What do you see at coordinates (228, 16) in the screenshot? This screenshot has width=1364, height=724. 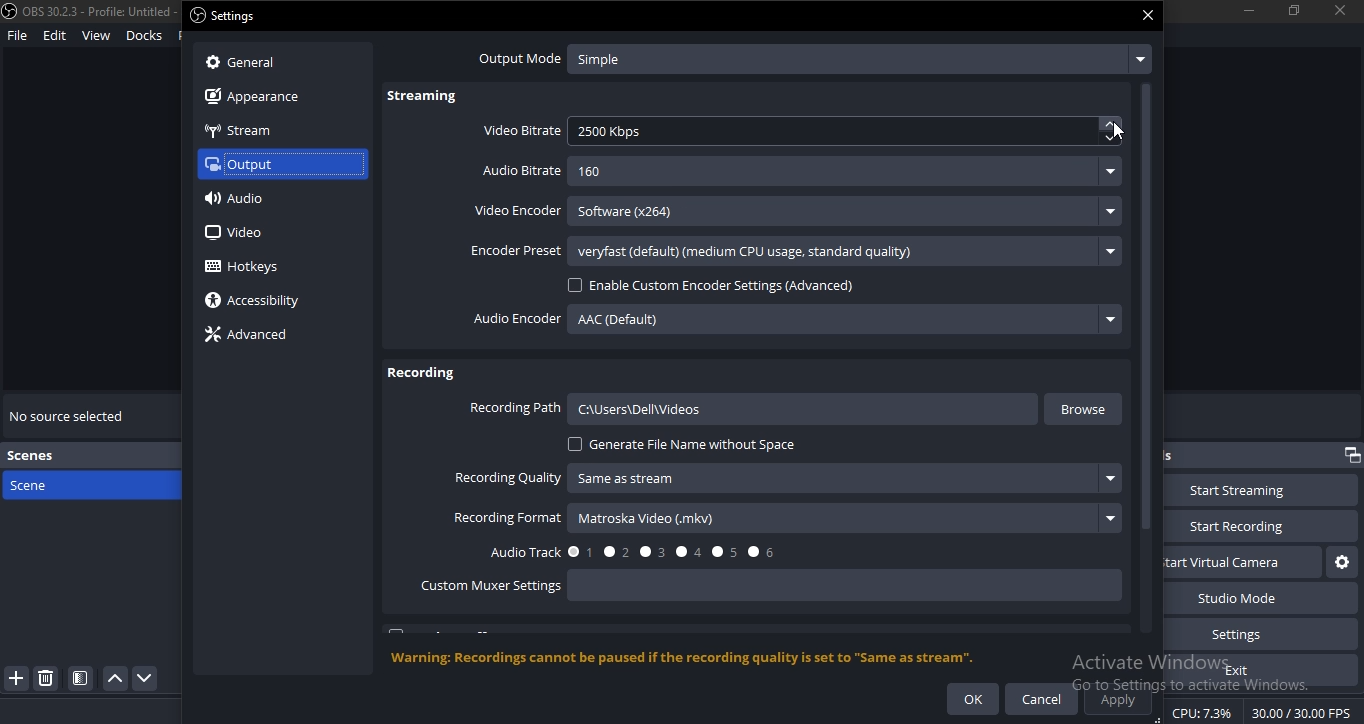 I see `settings` at bounding box center [228, 16].